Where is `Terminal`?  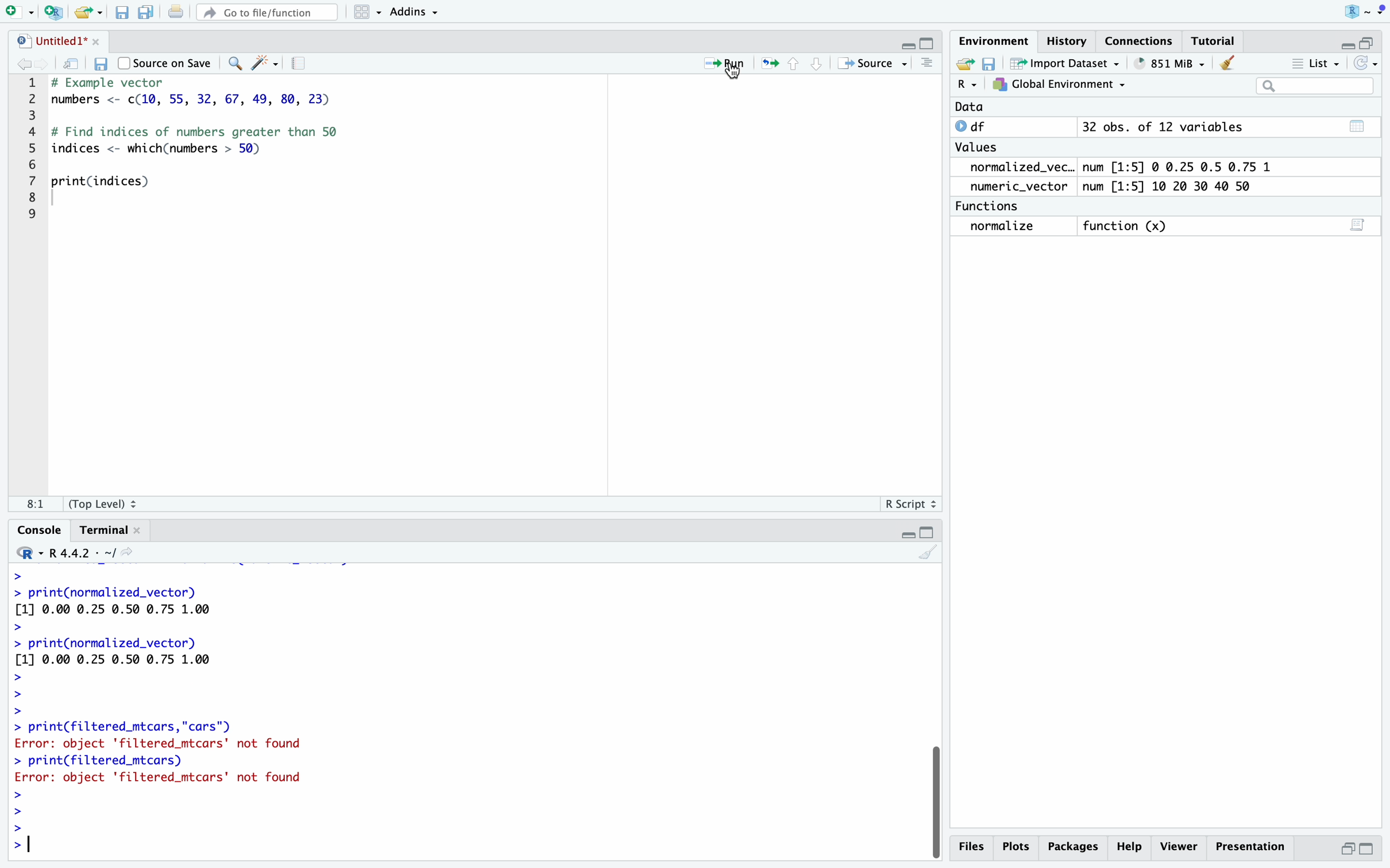 Terminal is located at coordinates (108, 531).